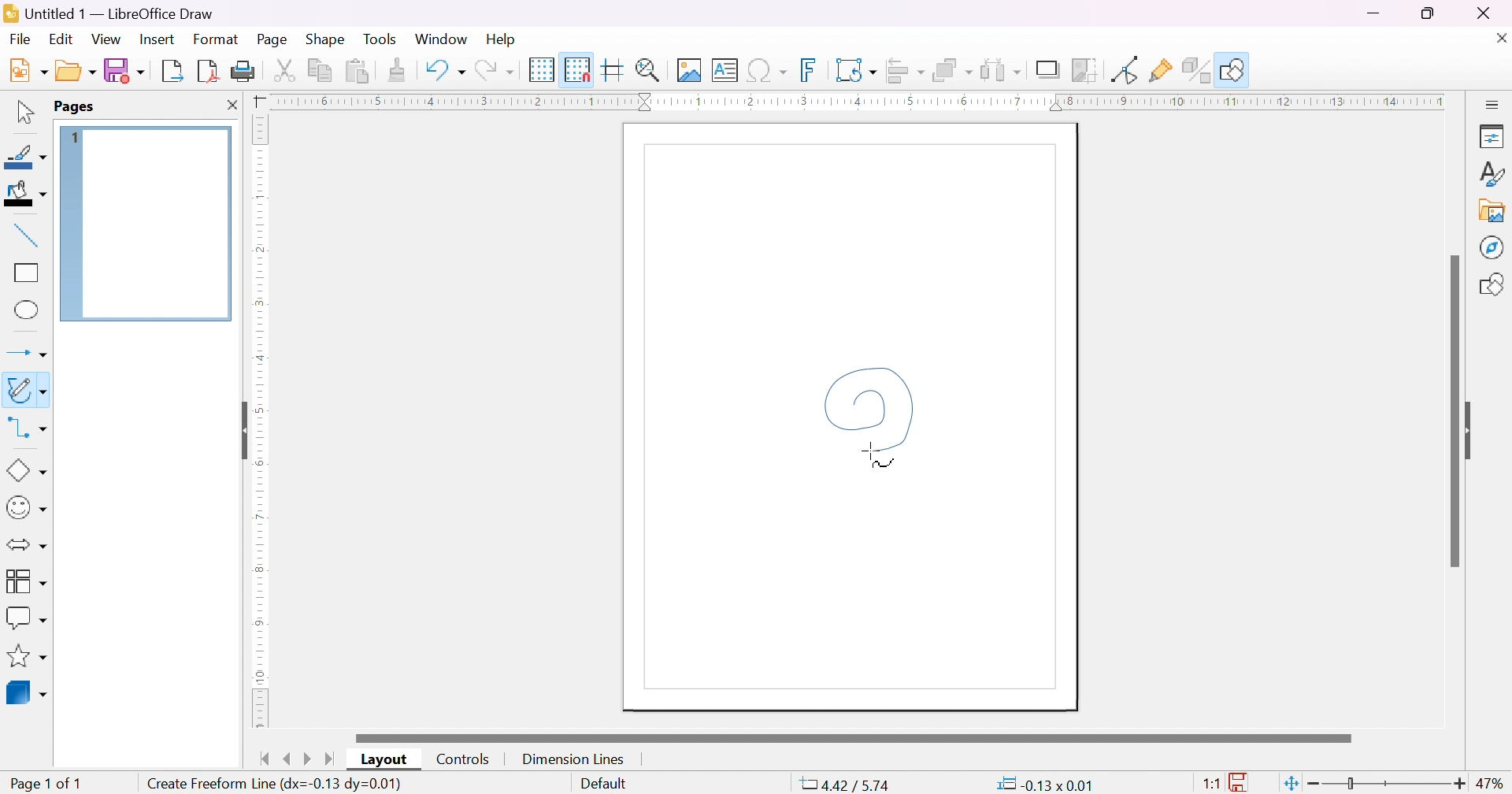  I want to click on , so click(21, 39).